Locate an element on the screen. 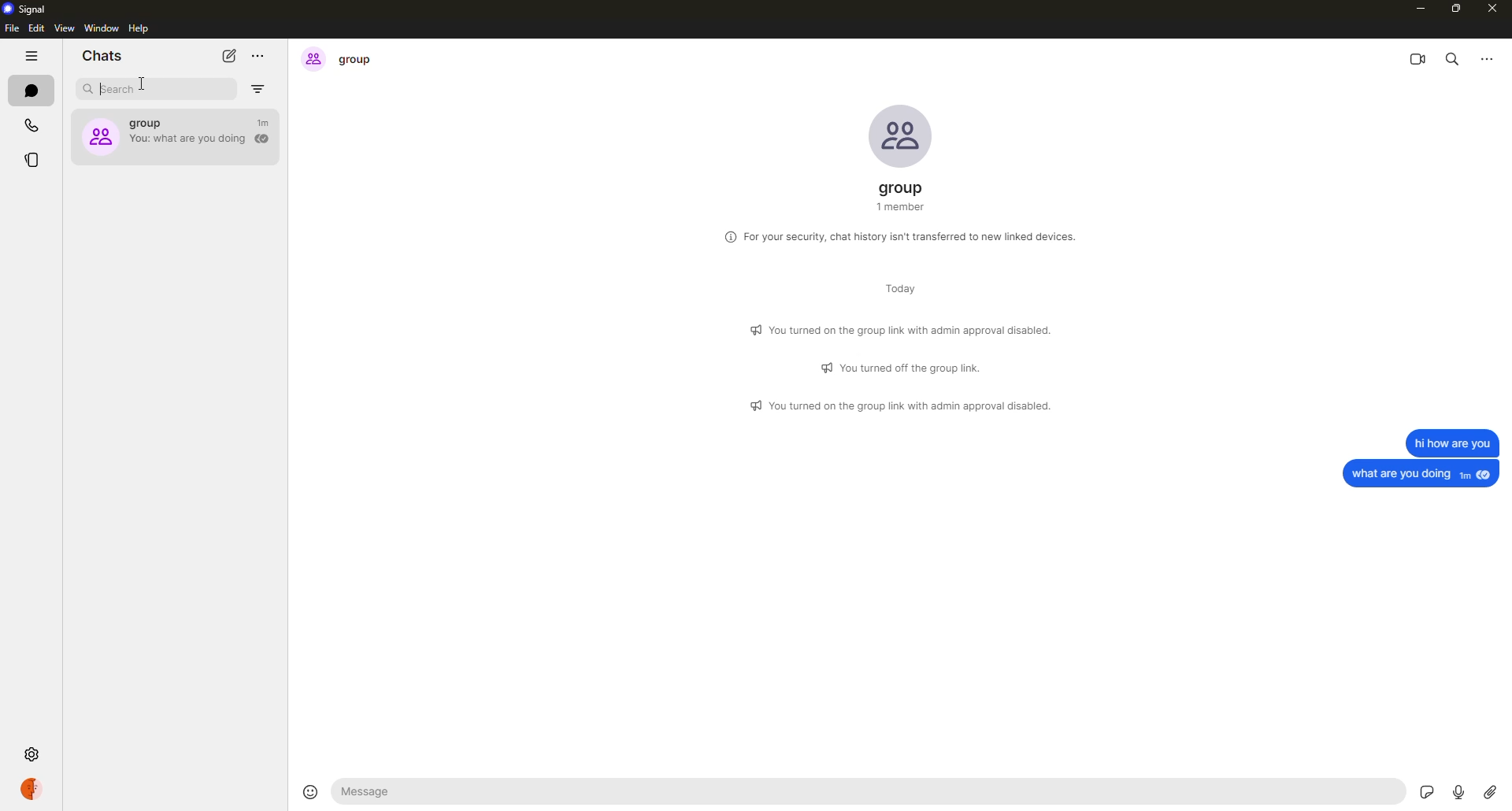 Image resolution: width=1512 pixels, height=811 pixels. minimize is located at coordinates (1416, 8).